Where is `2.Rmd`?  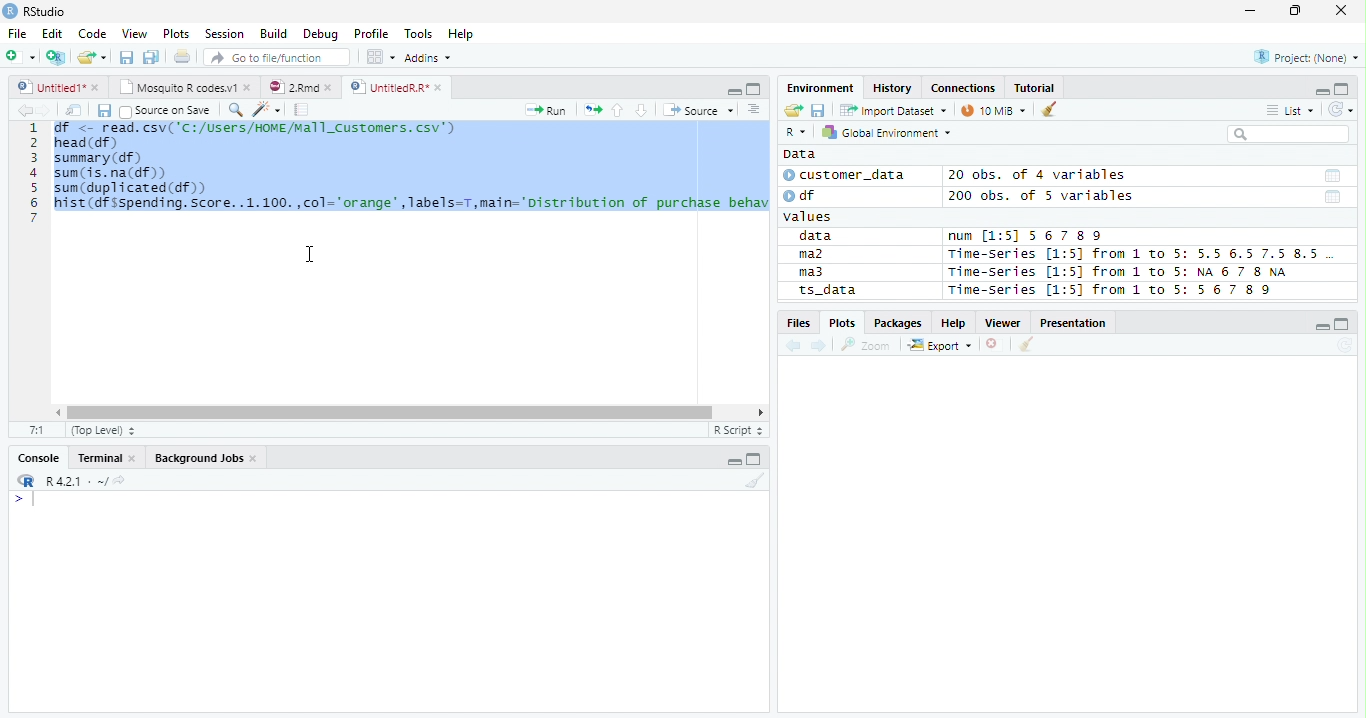 2.Rmd is located at coordinates (302, 88).